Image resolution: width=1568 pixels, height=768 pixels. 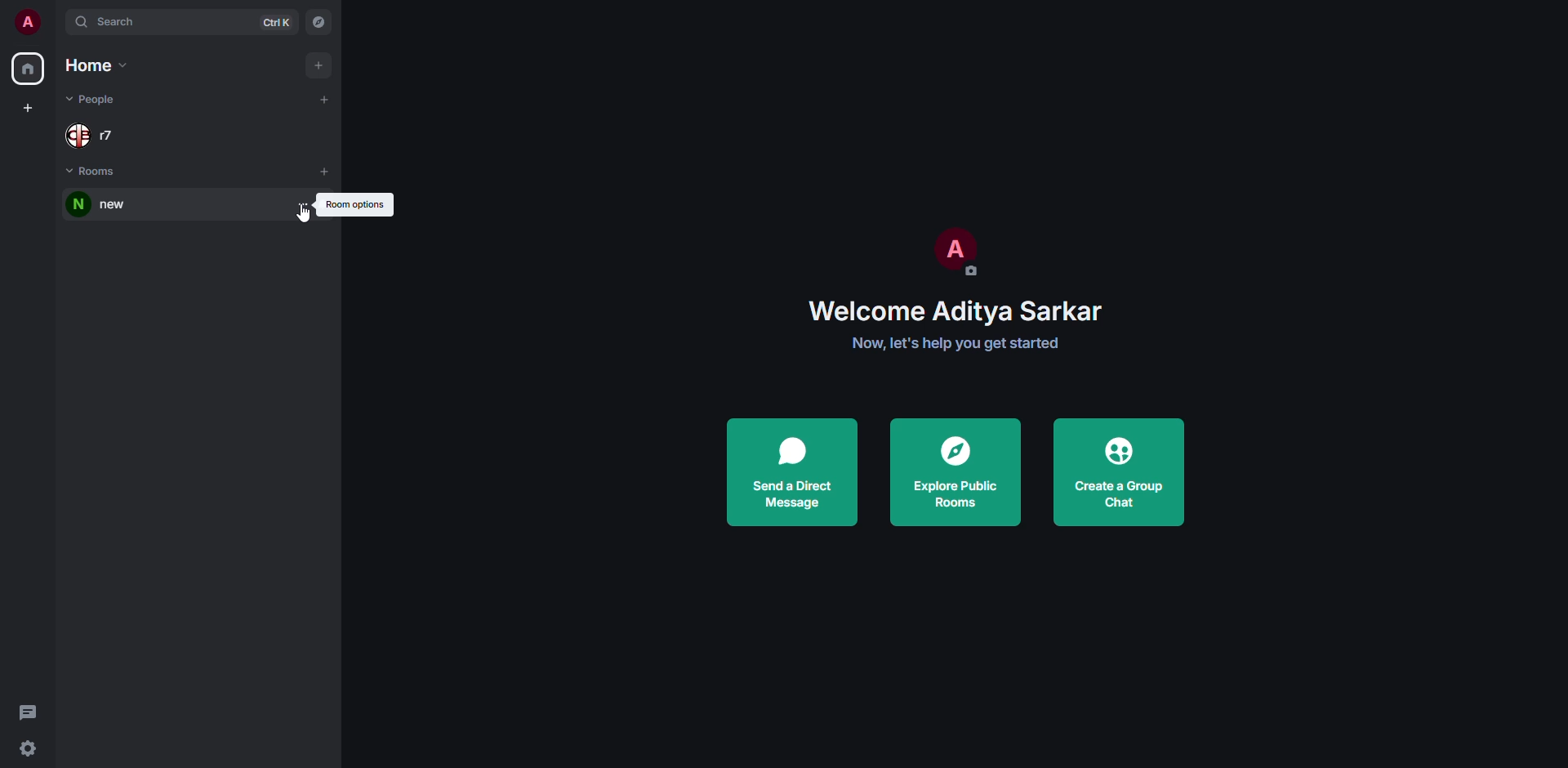 I want to click on add, so click(x=324, y=98).